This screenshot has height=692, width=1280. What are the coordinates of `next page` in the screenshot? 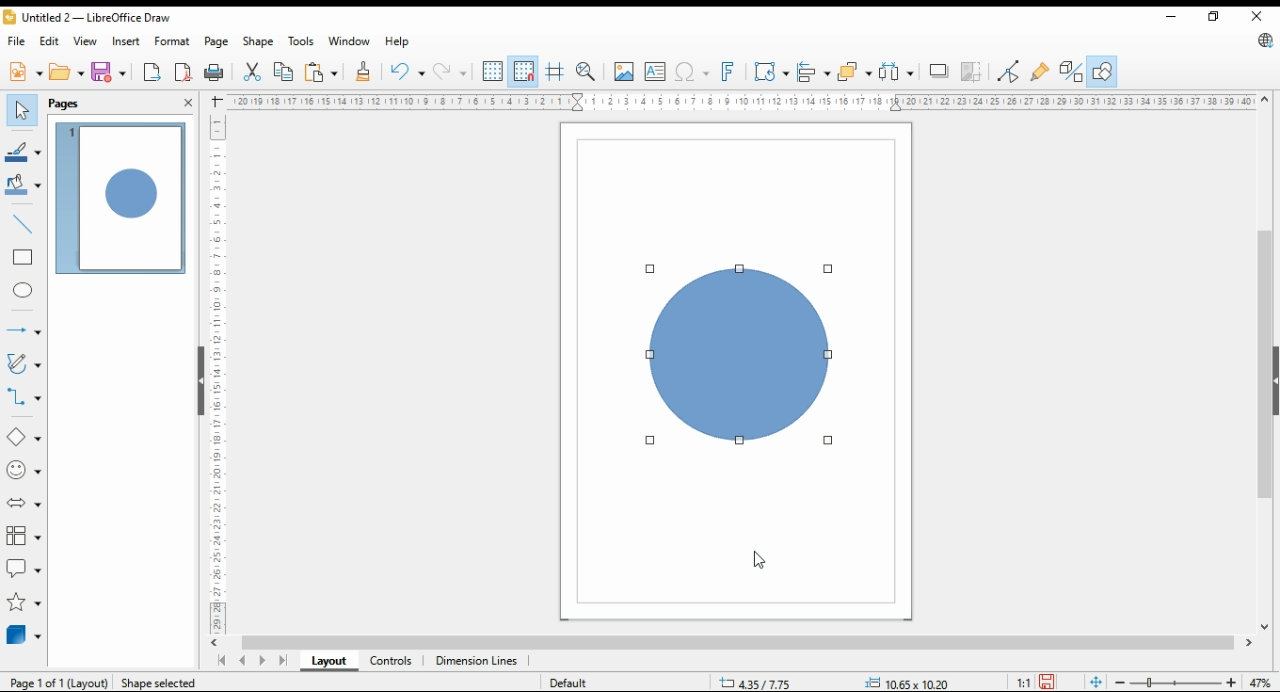 It's located at (261, 660).